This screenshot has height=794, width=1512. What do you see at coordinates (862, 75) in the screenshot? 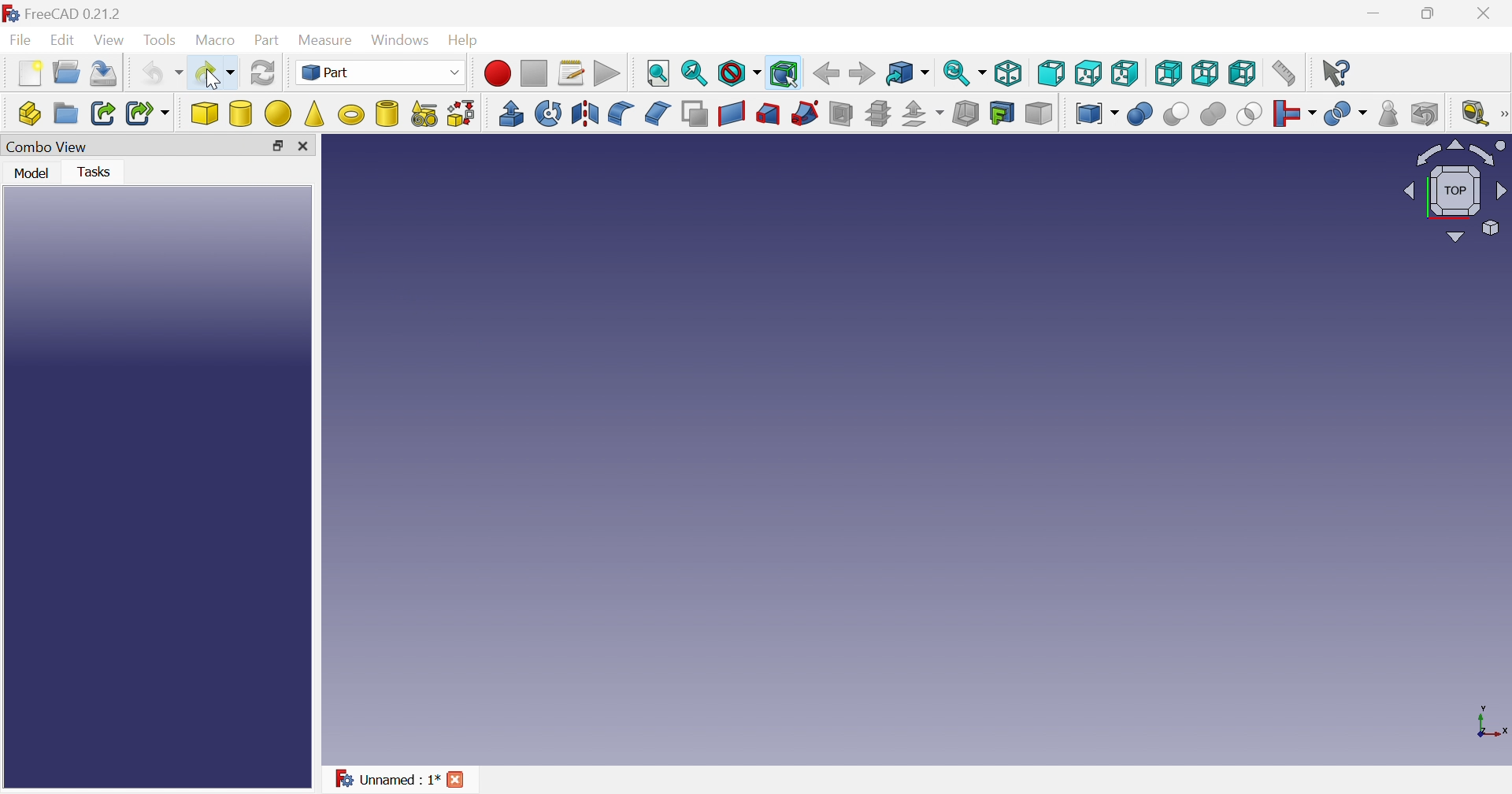
I see `Forward` at bounding box center [862, 75].